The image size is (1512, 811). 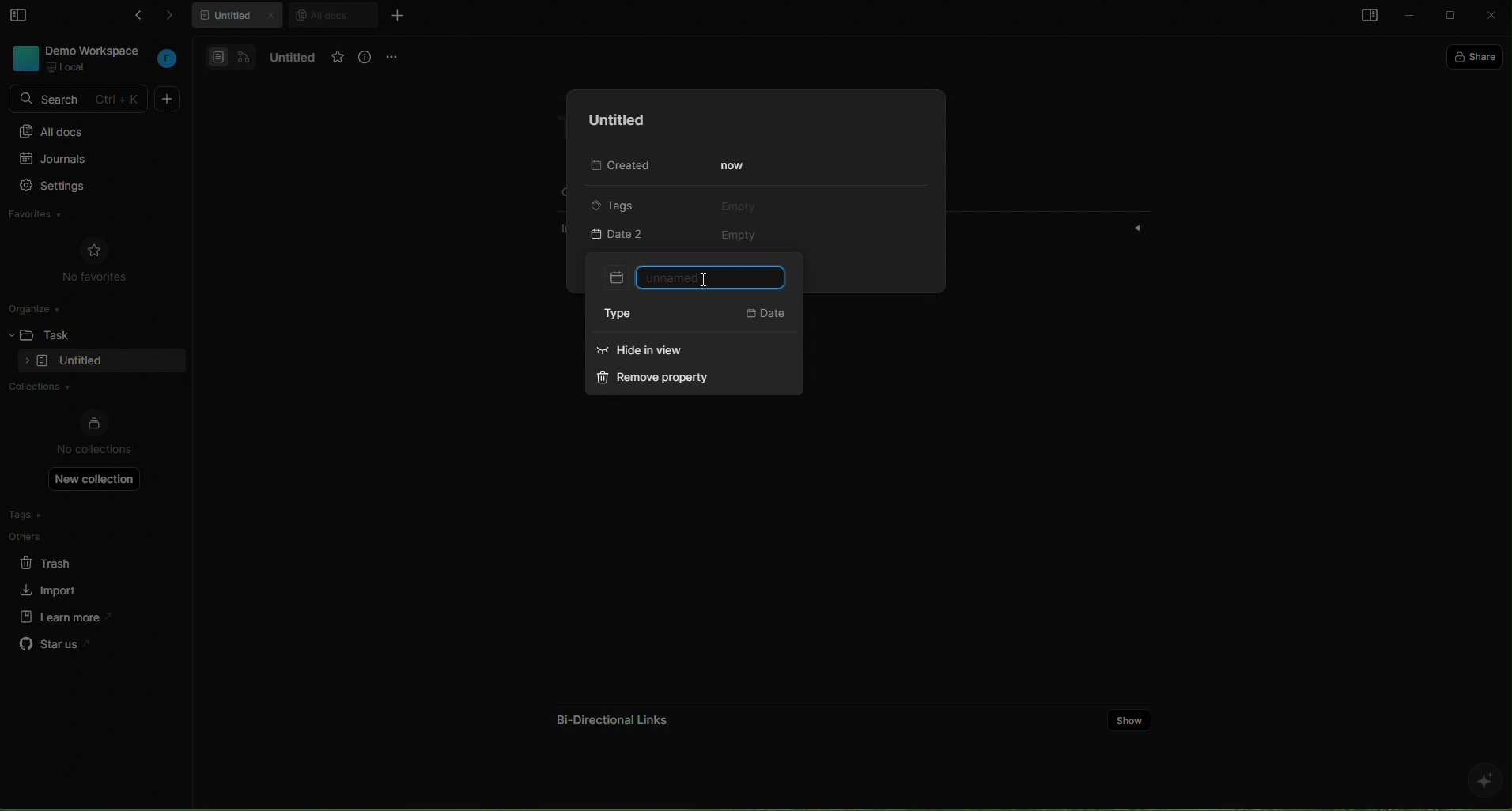 What do you see at coordinates (64, 333) in the screenshot?
I see `task` at bounding box center [64, 333].